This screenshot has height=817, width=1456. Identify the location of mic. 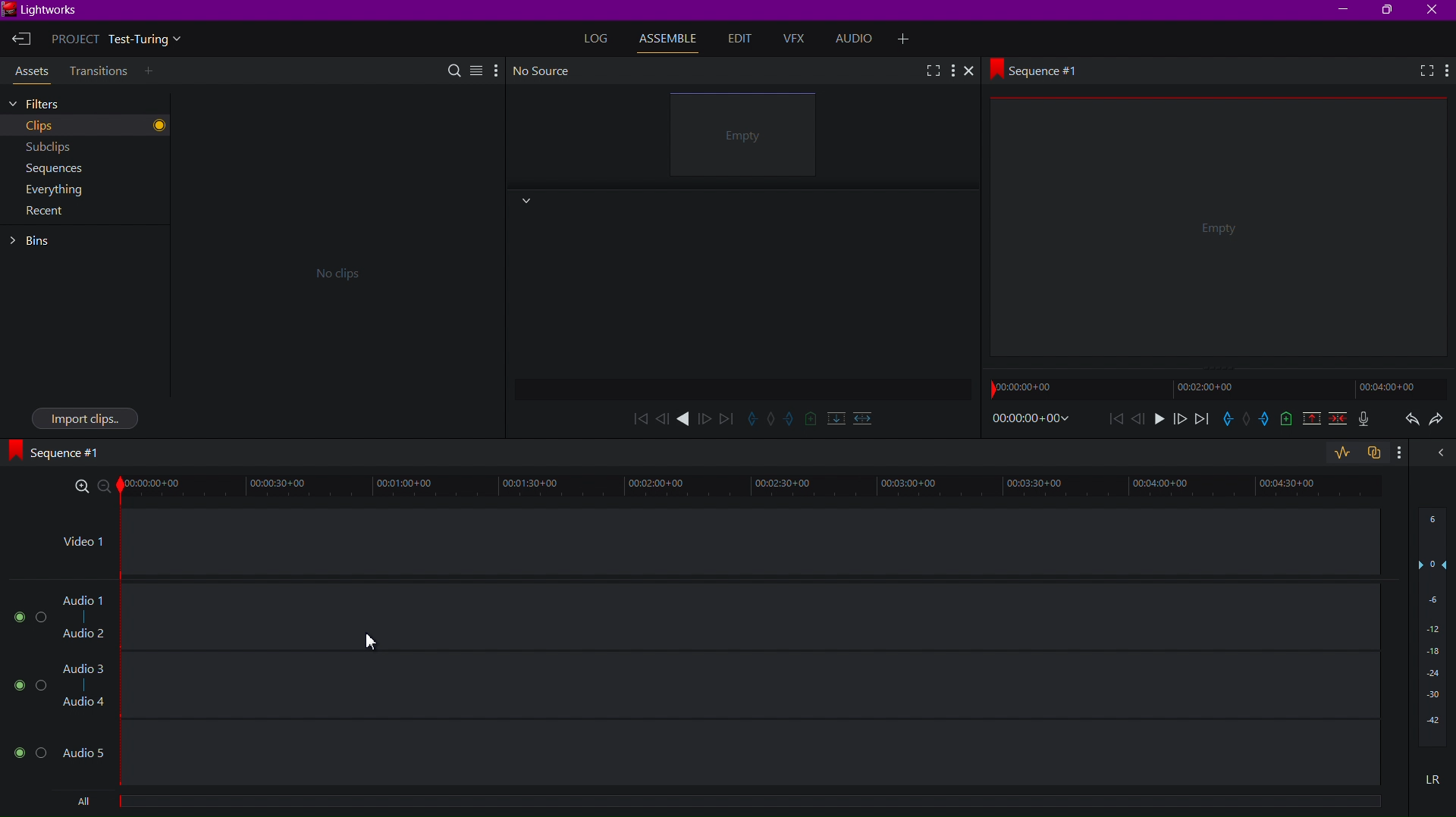
(1368, 421).